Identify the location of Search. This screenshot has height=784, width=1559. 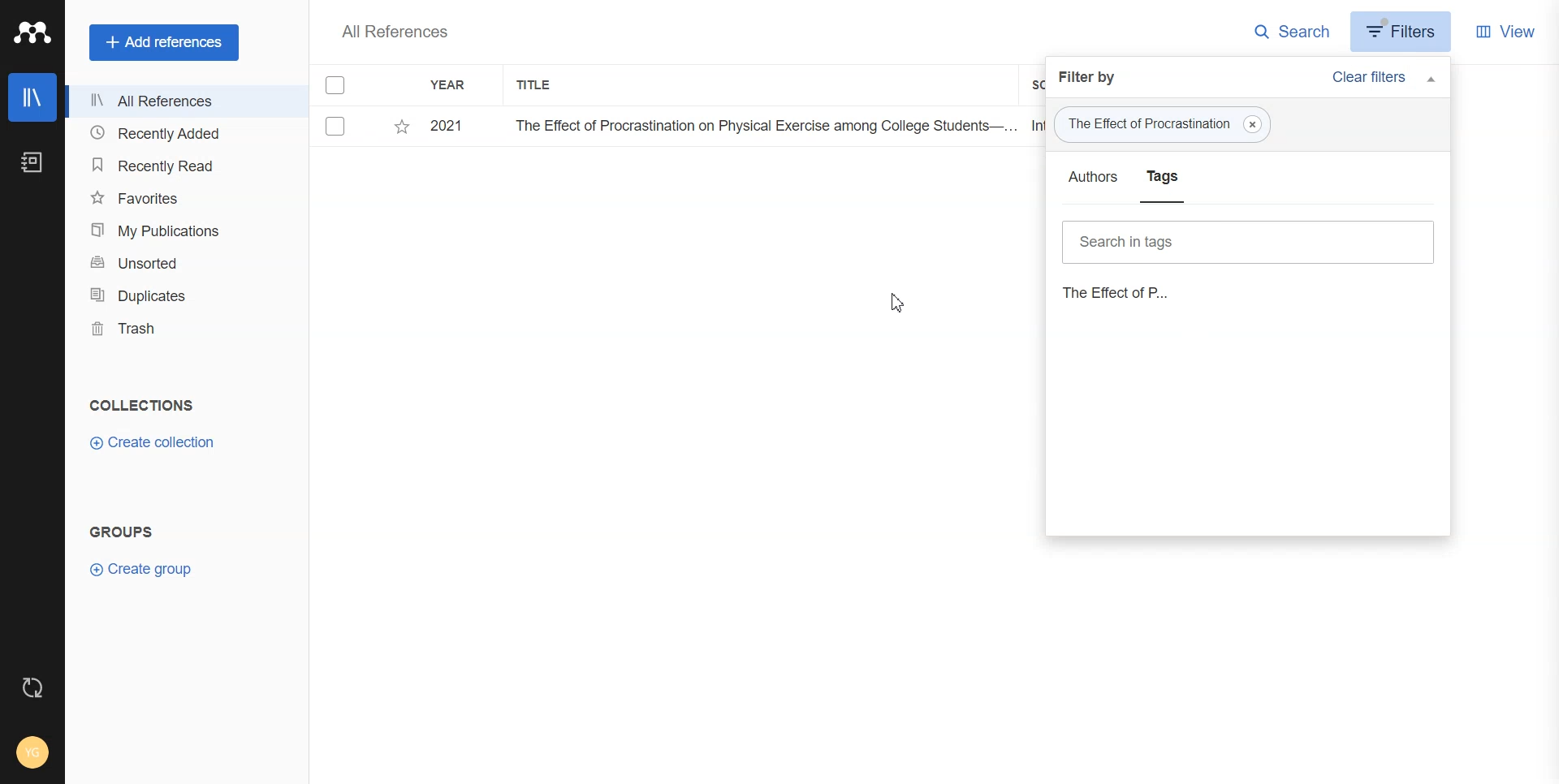
(1291, 32).